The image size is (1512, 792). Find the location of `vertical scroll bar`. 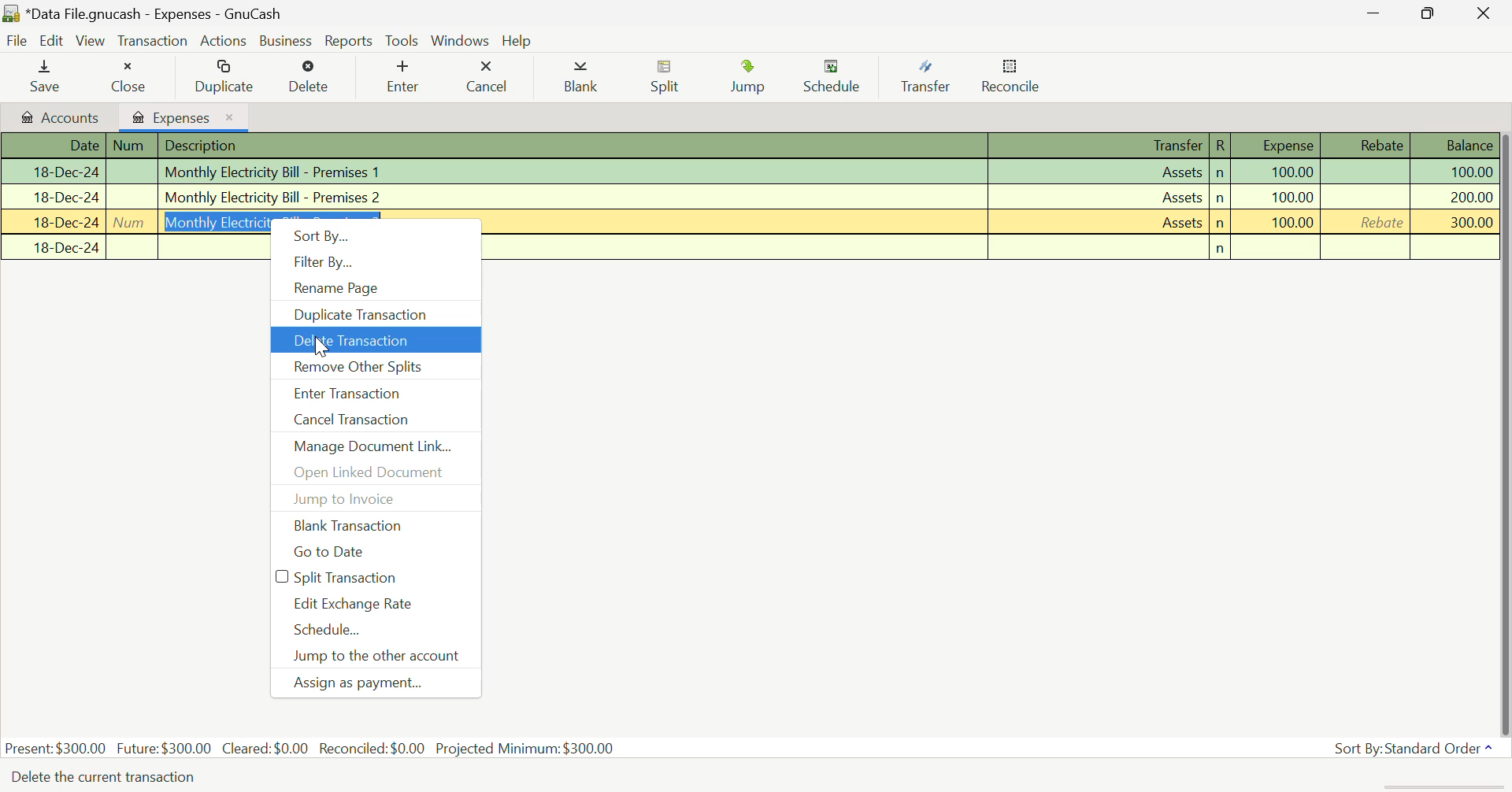

vertical scroll bar is located at coordinates (1503, 431).